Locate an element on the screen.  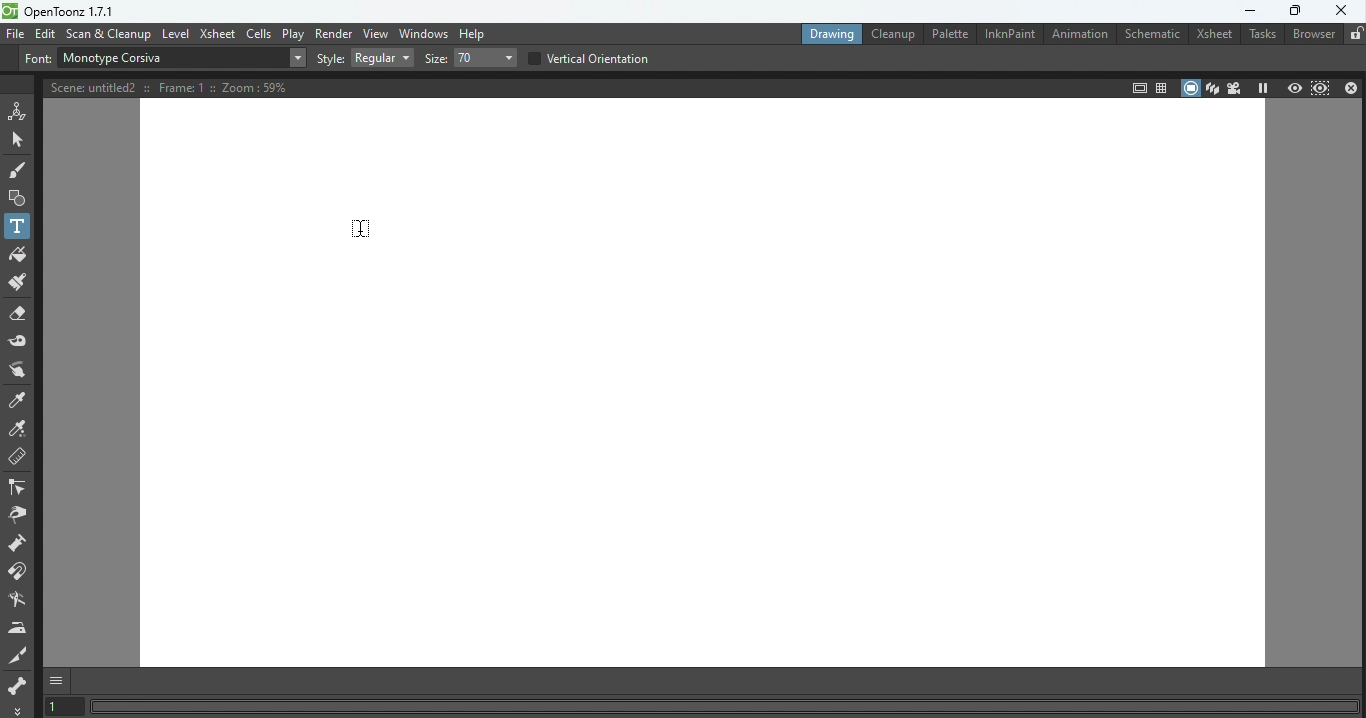
Font is located at coordinates (35, 58).